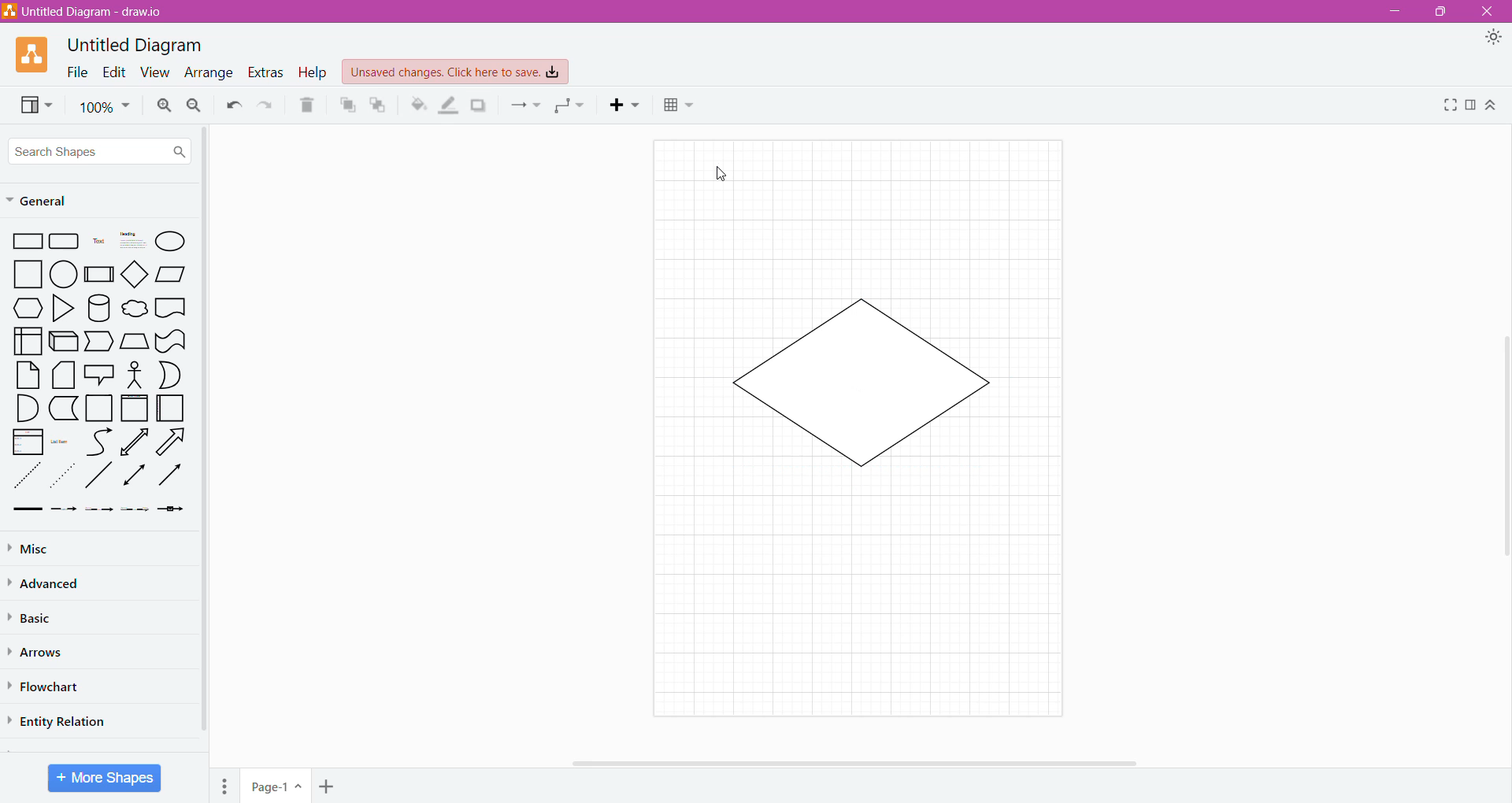 This screenshot has width=1512, height=803. Describe the element at coordinates (860, 384) in the screenshot. I see `Unlocked shape at Final position` at that location.